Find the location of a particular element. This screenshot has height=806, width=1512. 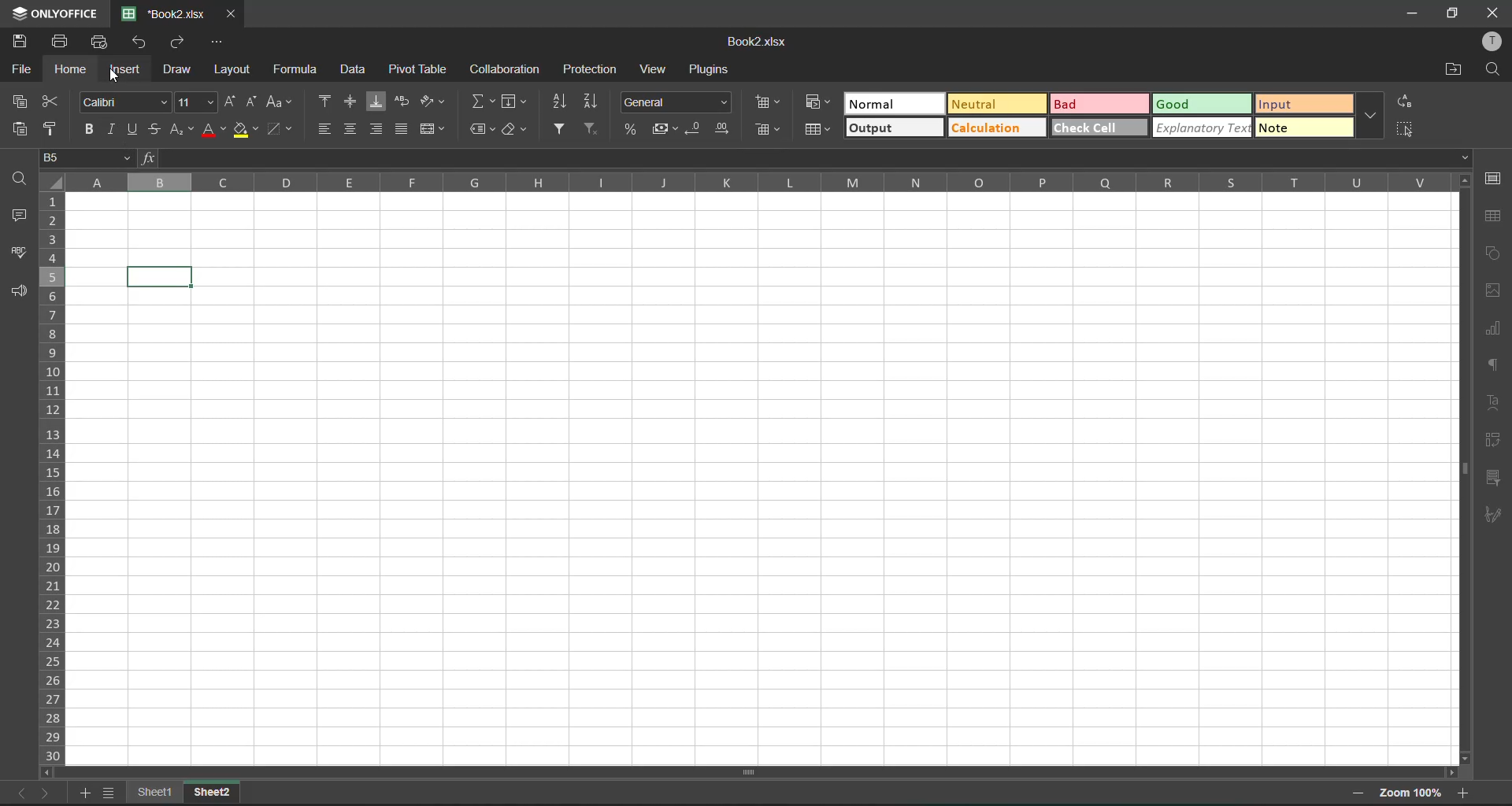

save is located at coordinates (24, 40).